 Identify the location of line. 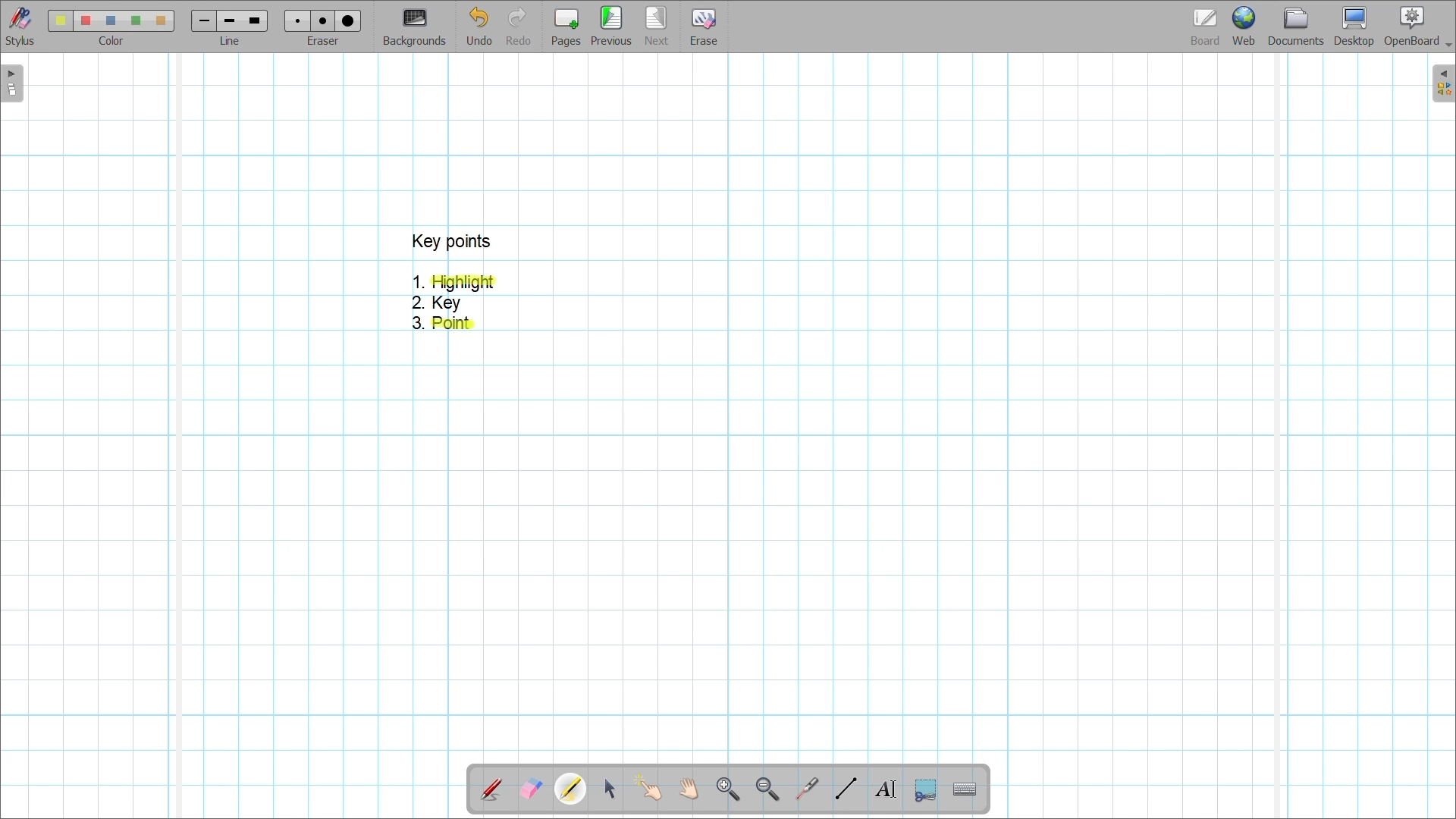
(234, 42).